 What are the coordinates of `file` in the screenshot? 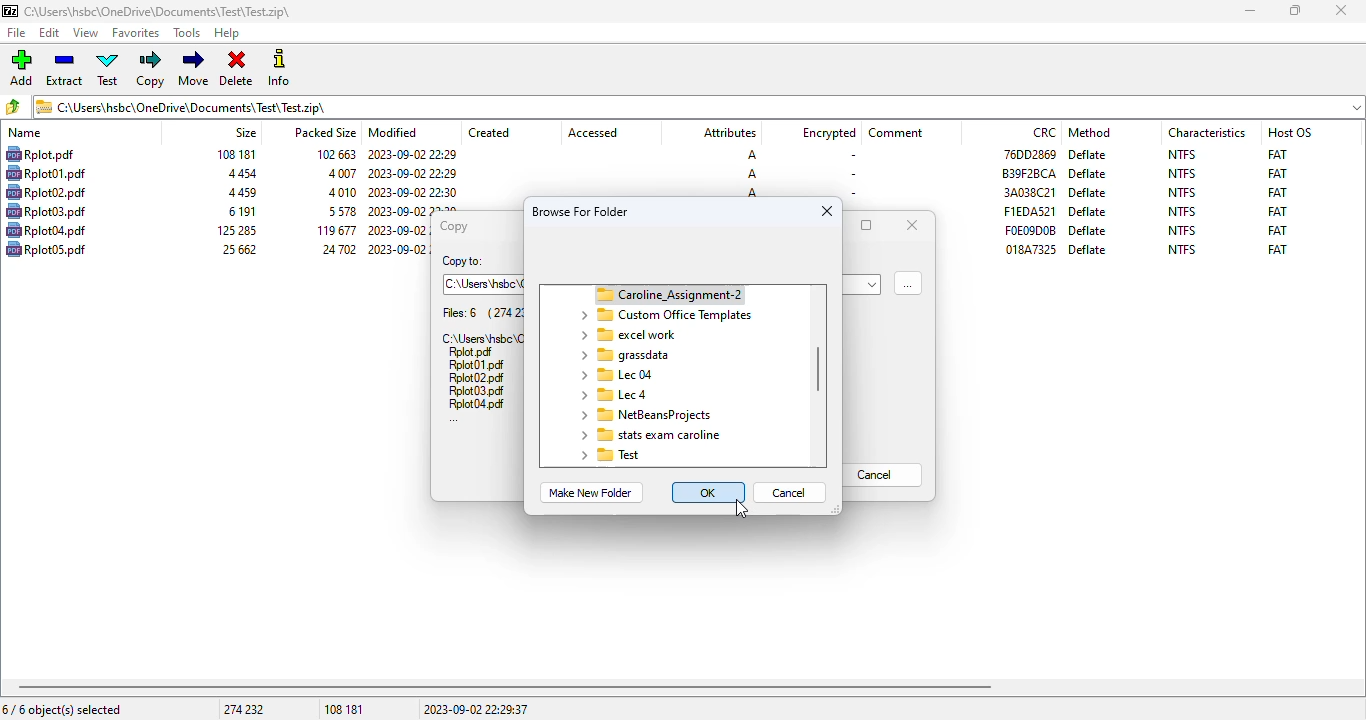 It's located at (46, 230).